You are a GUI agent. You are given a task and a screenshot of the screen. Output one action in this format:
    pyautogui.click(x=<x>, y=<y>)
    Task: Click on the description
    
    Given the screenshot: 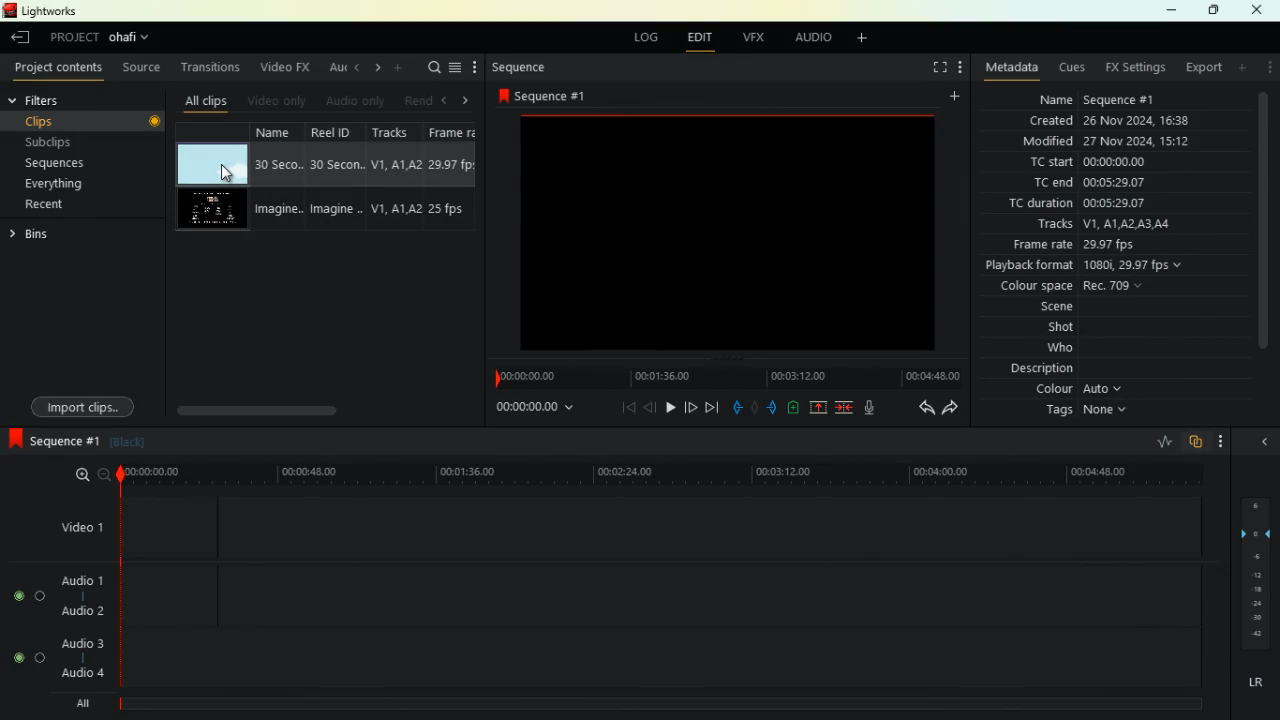 What is the action you would take?
    pyautogui.click(x=1032, y=368)
    